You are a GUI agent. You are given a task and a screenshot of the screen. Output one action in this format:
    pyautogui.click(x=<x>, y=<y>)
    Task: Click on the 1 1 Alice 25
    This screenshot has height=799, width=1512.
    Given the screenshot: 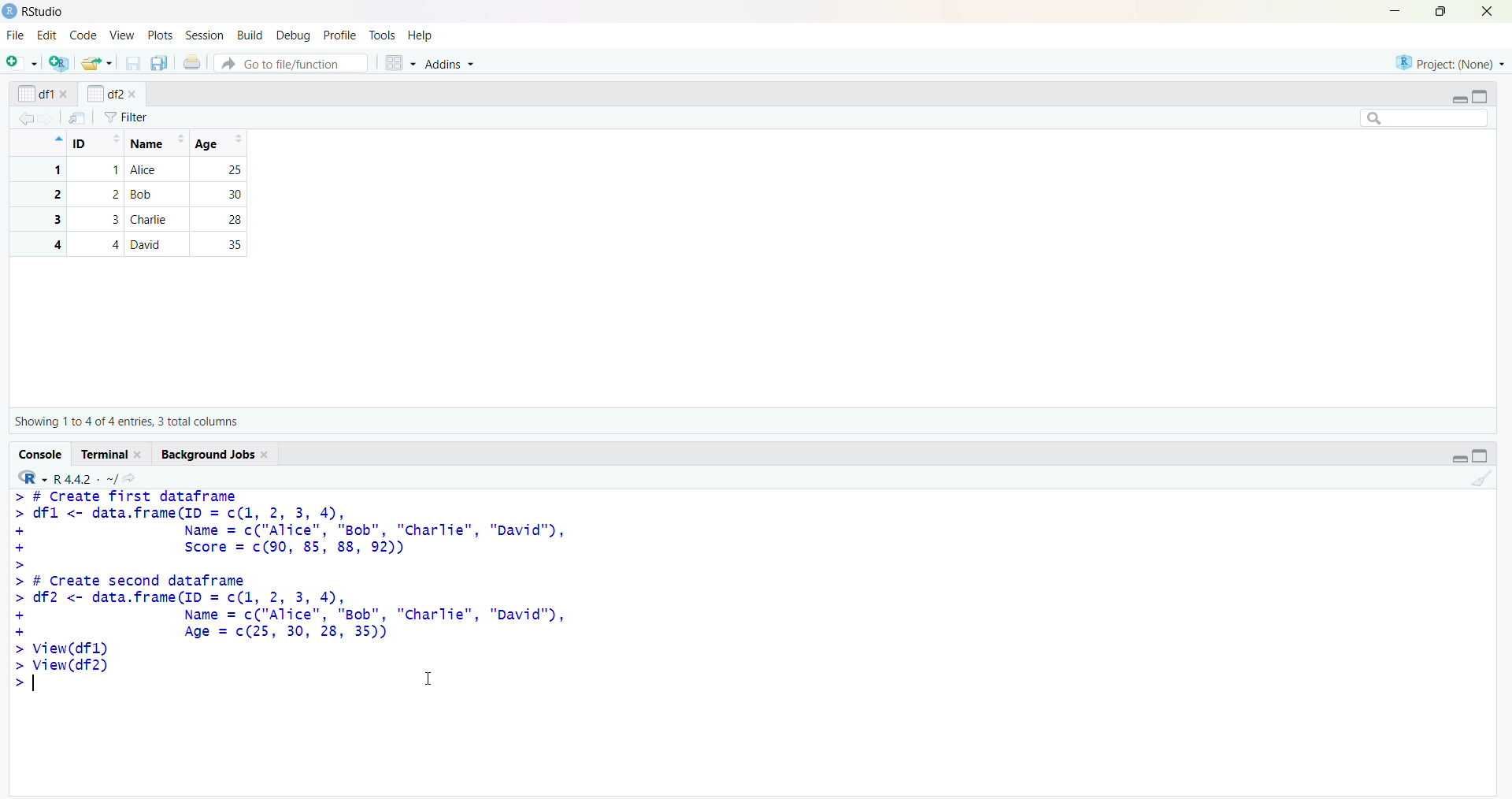 What is the action you would take?
    pyautogui.click(x=135, y=170)
    